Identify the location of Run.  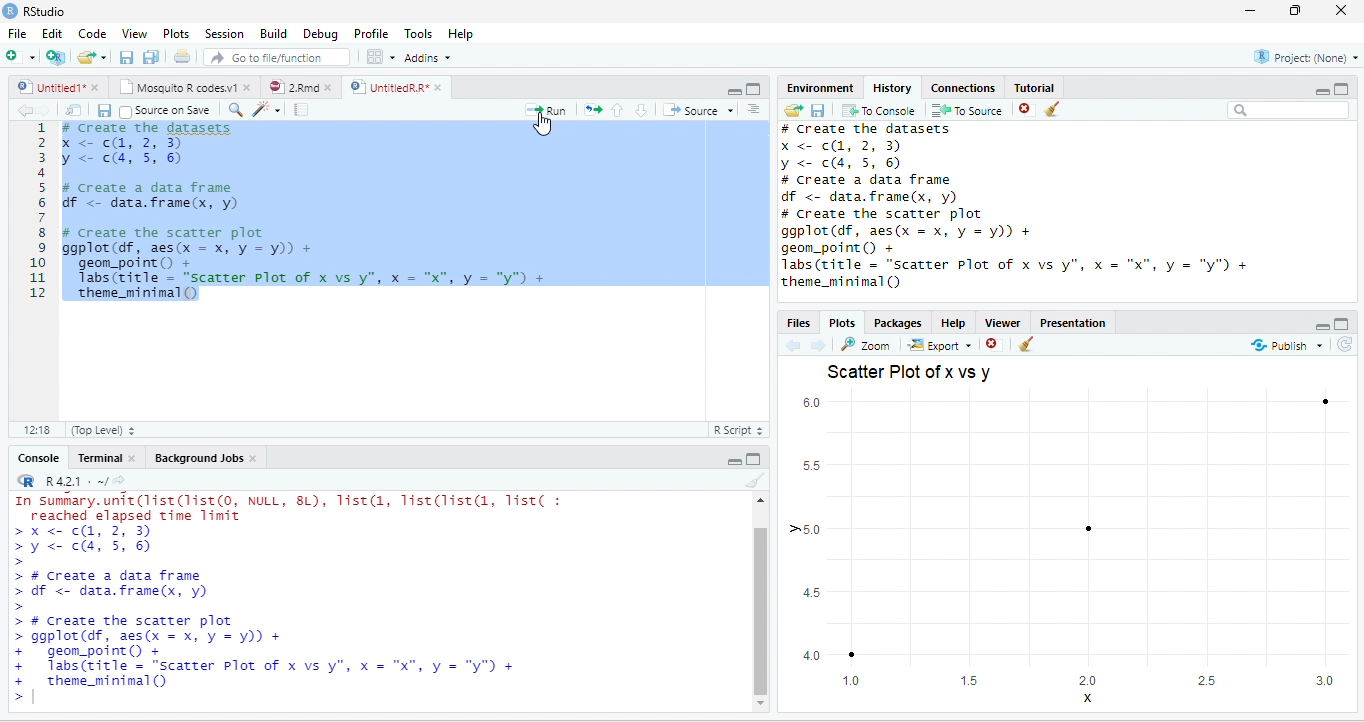
(546, 110).